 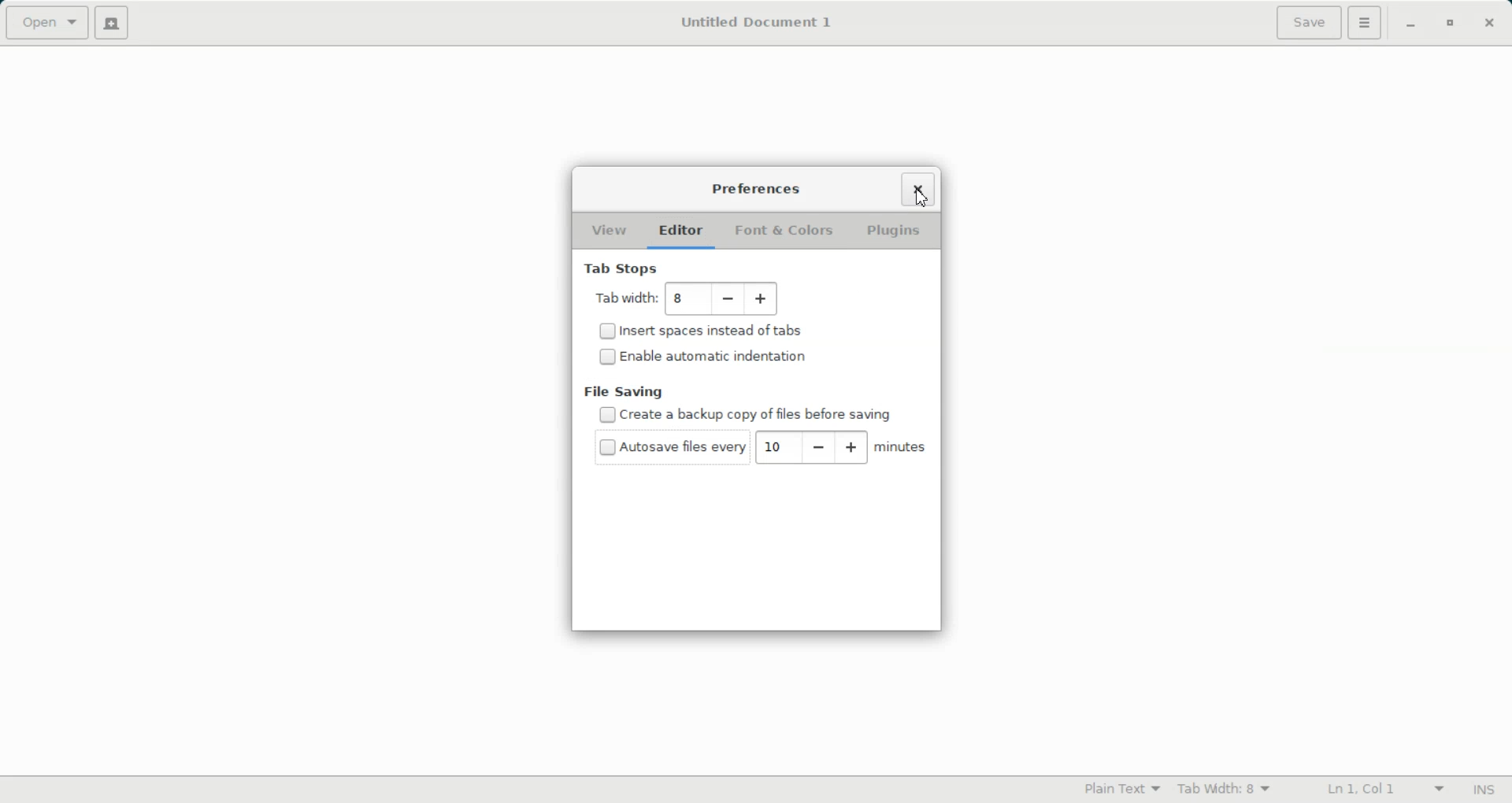 What do you see at coordinates (749, 414) in the screenshot?
I see `Disable create a backup copy of files before saving` at bounding box center [749, 414].